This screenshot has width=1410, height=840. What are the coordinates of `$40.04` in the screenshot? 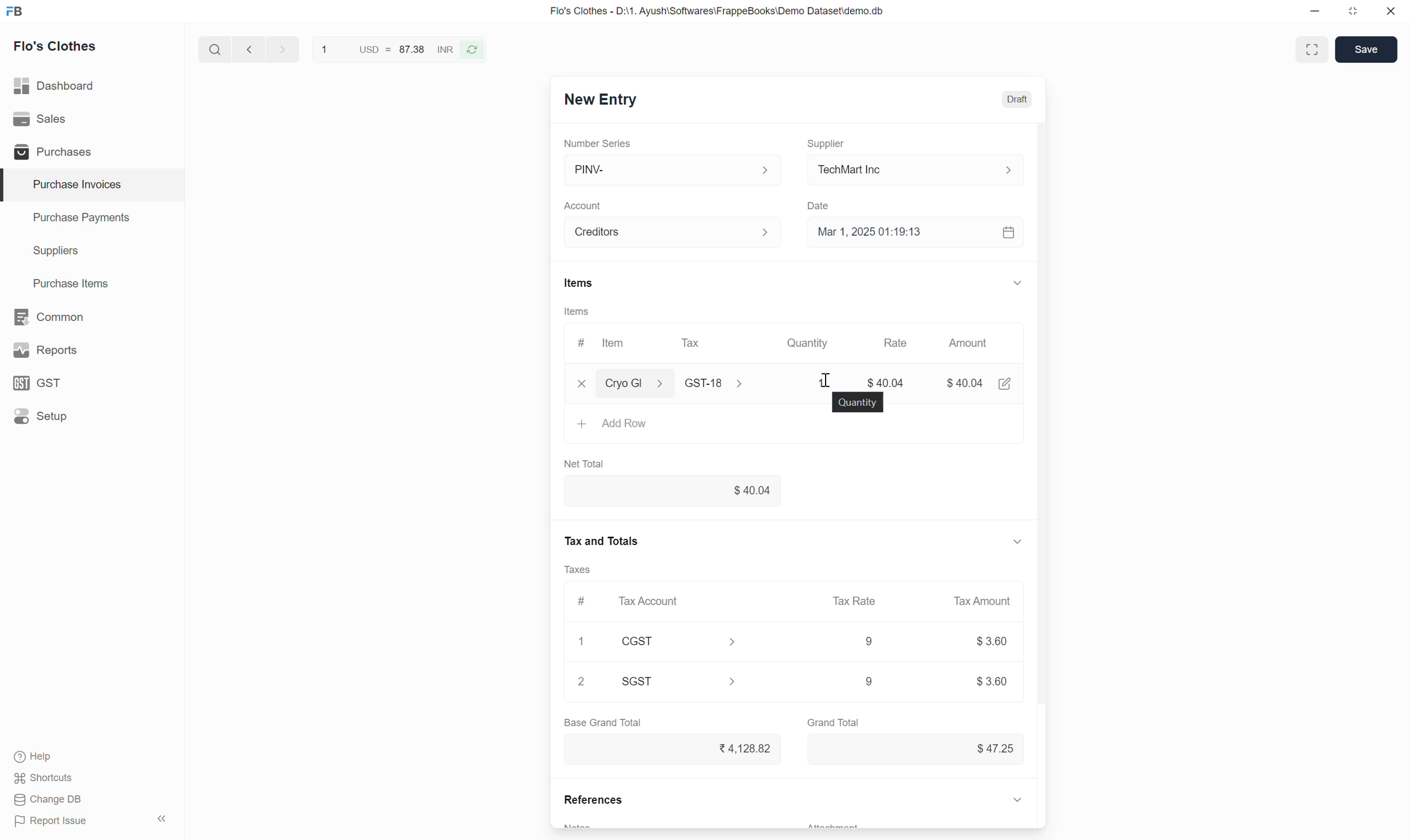 It's located at (967, 382).